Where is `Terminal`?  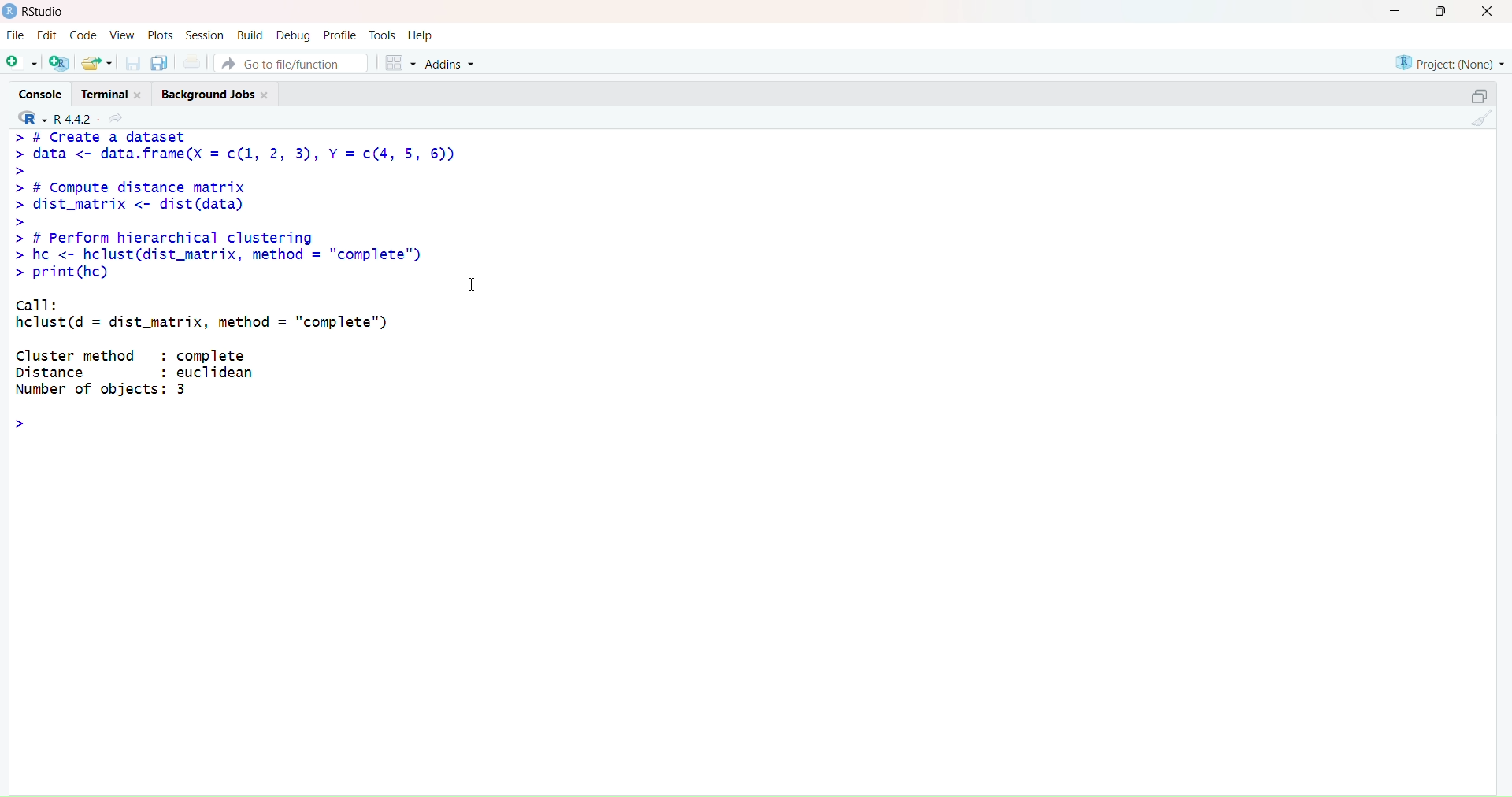 Terminal is located at coordinates (109, 94).